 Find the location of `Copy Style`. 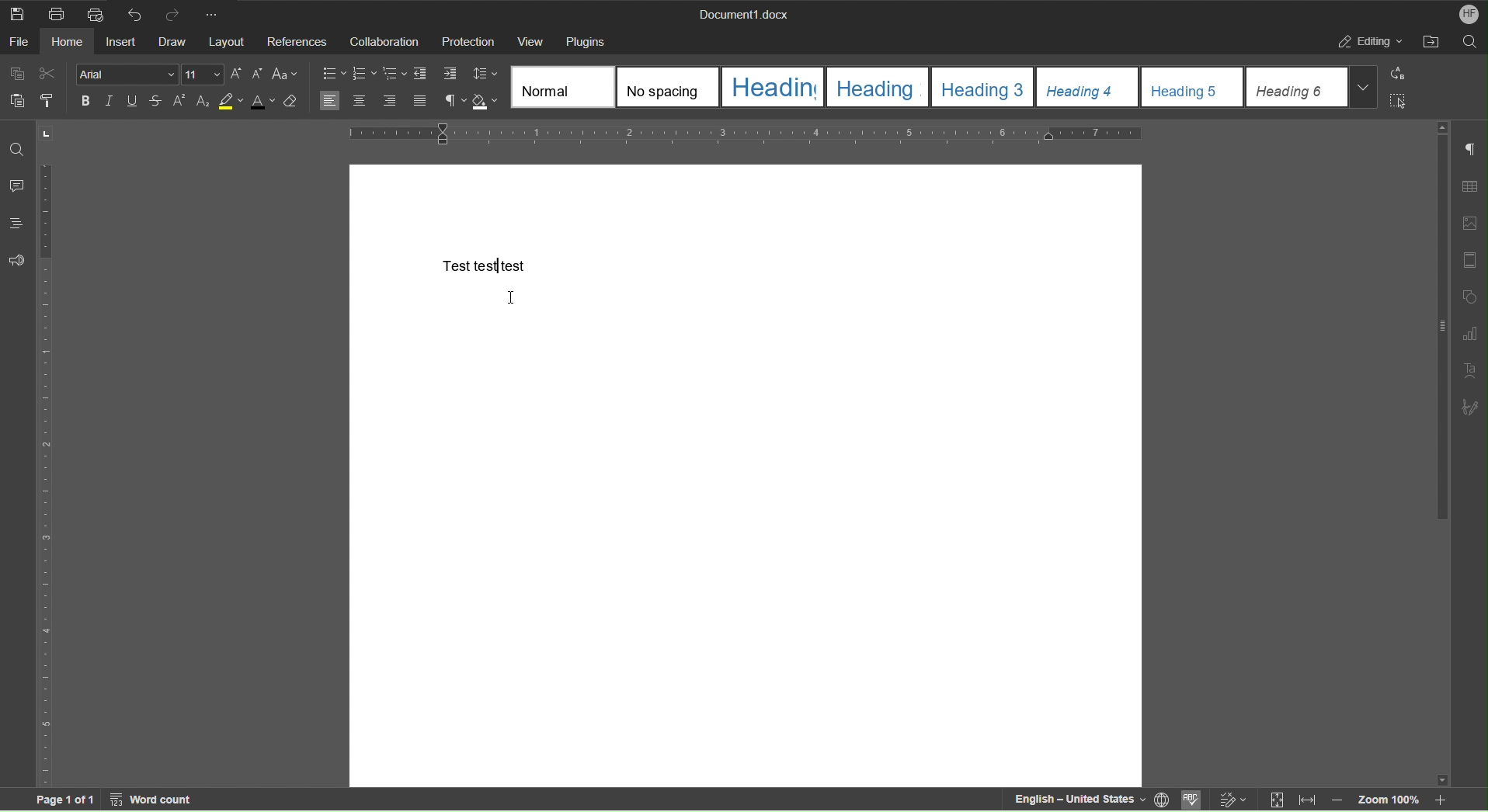

Copy Style is located at coordinates (45, 99).